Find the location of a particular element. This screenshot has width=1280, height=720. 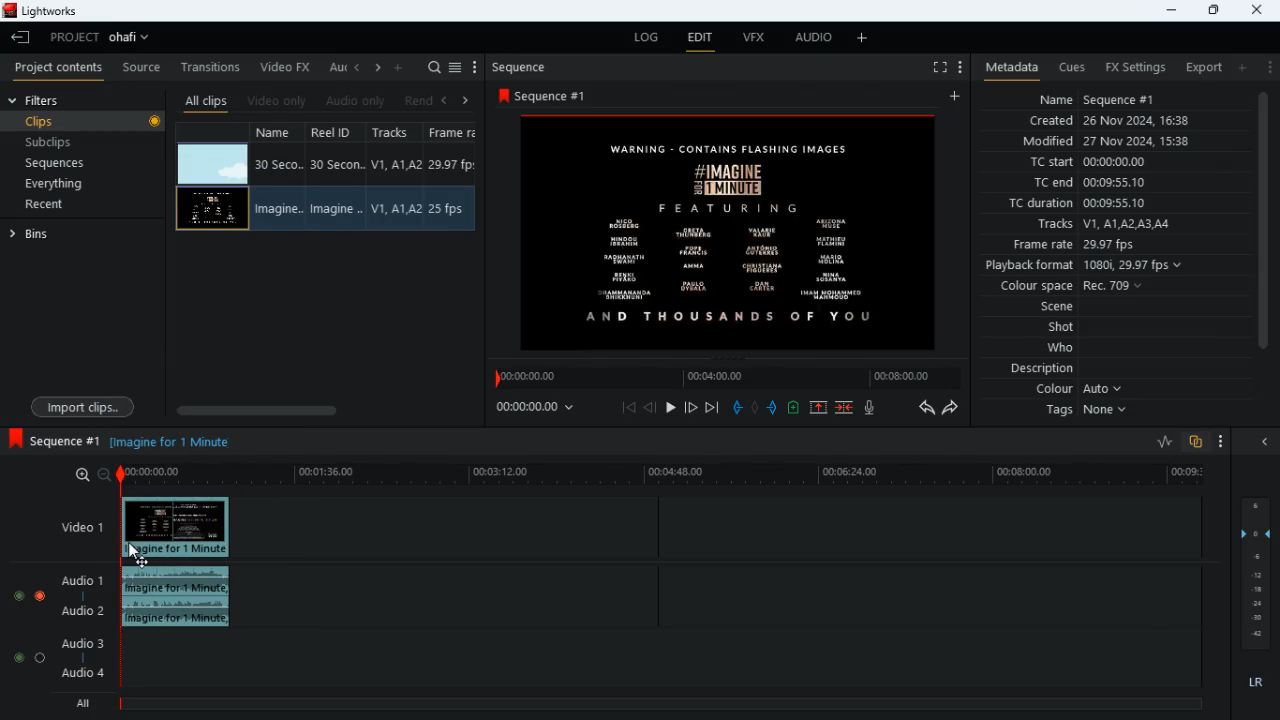

Audio 4 is located at coordinates (82, 674).